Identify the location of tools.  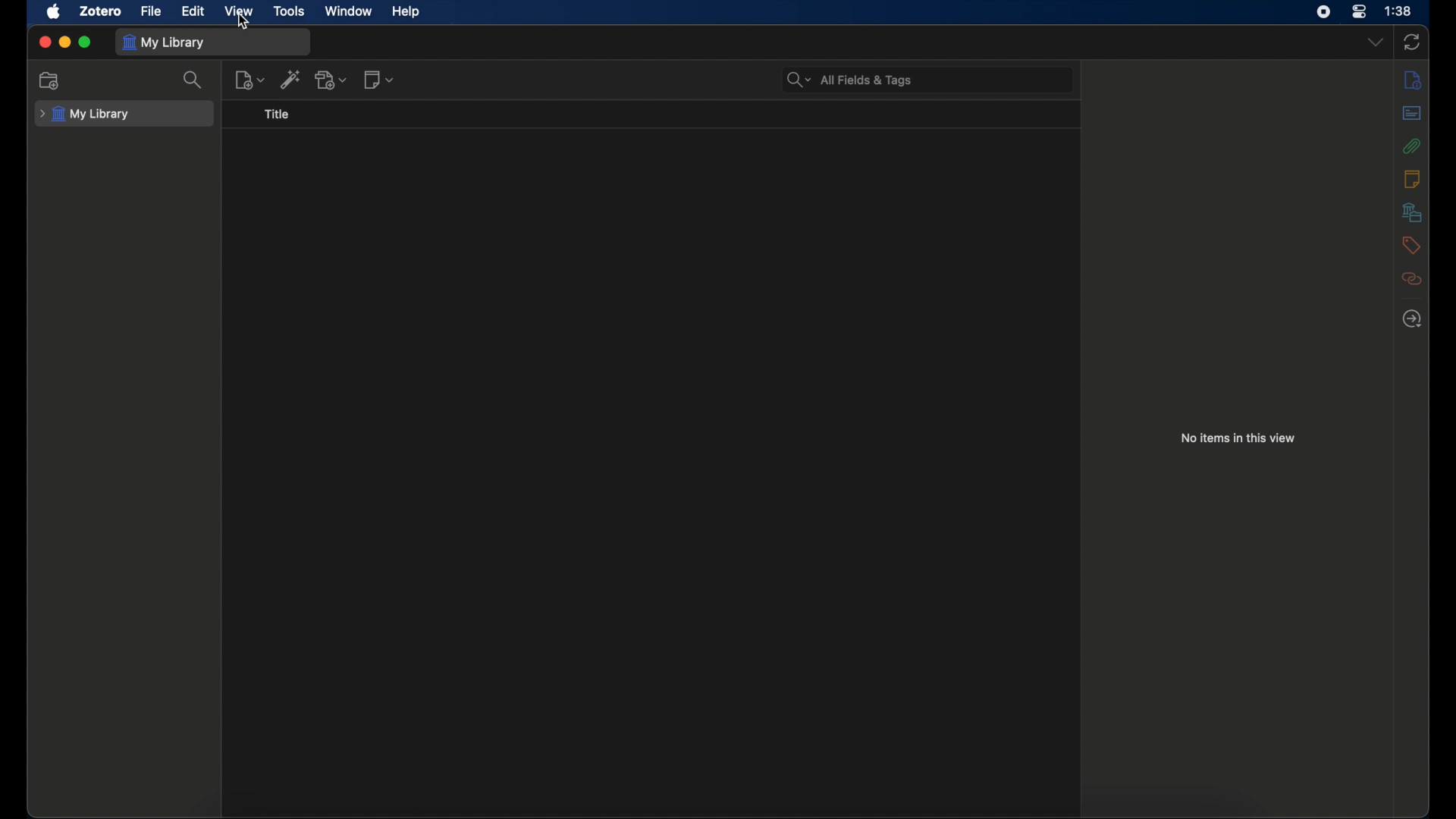
(288, 11).